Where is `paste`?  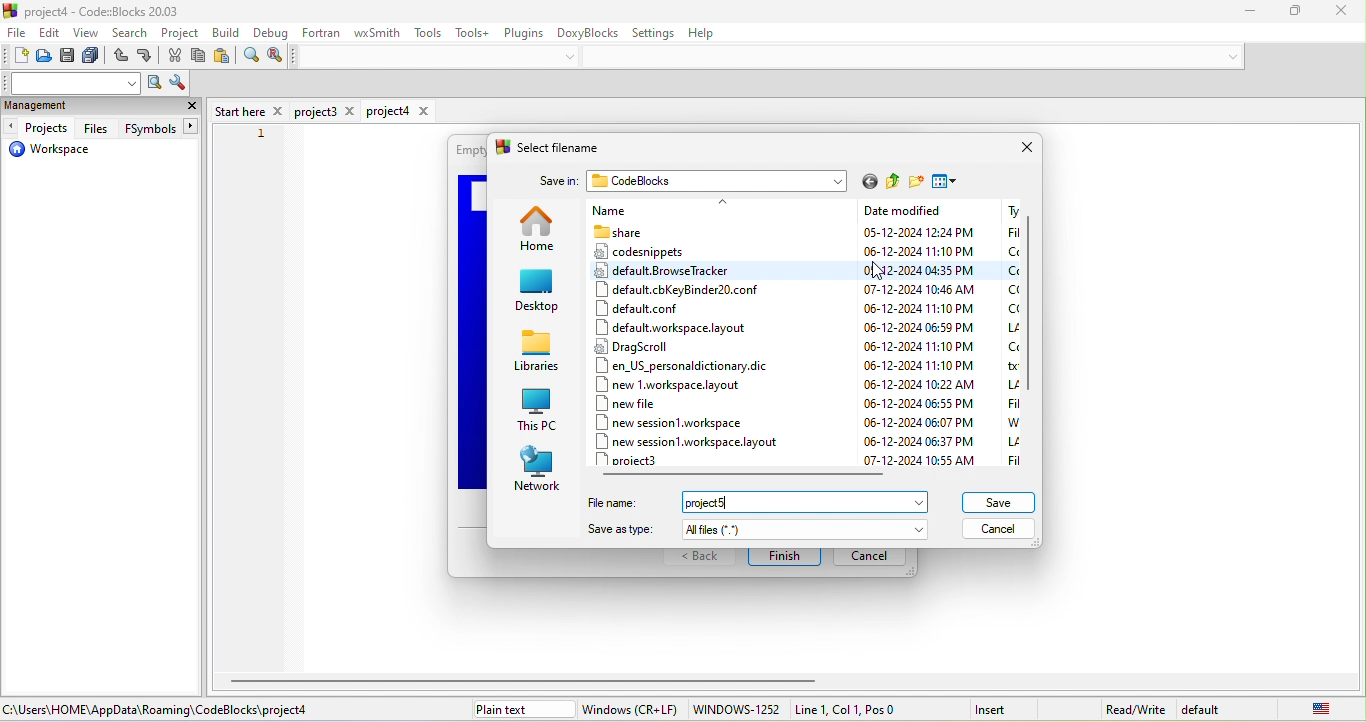
paste is located at coordinates (223, 58).